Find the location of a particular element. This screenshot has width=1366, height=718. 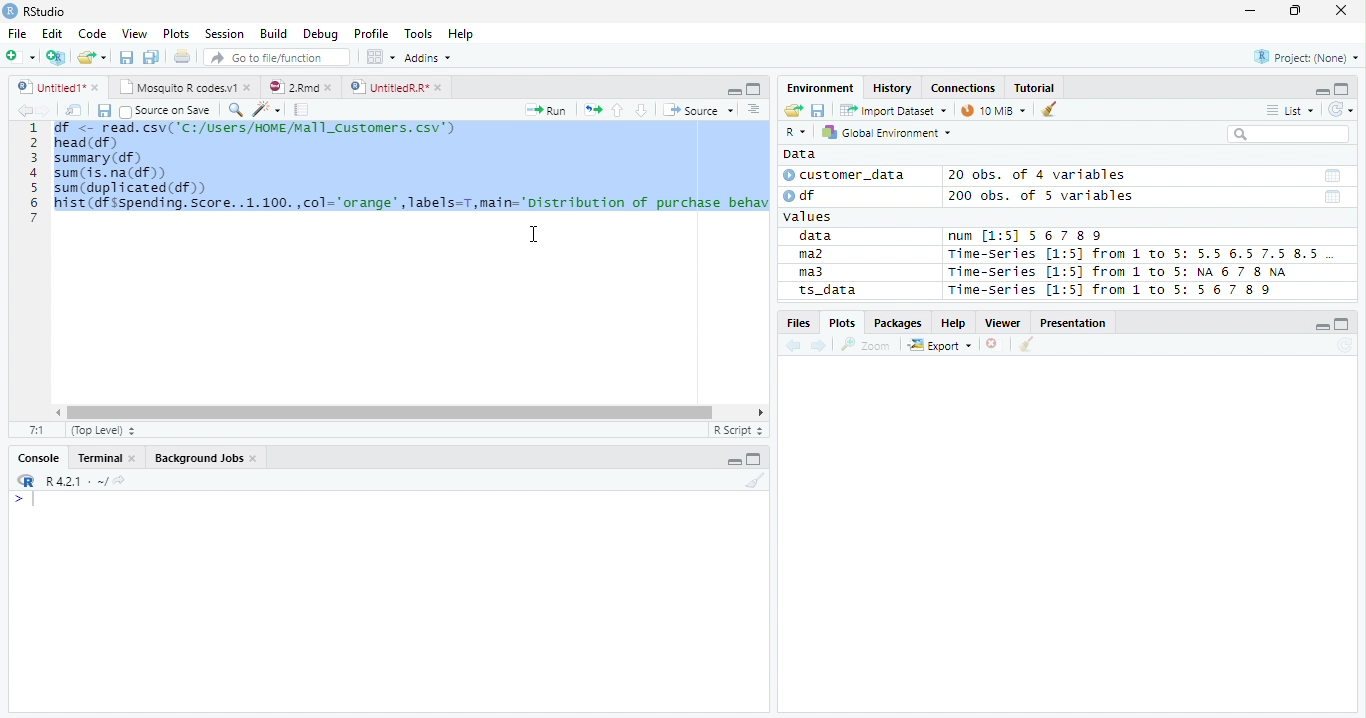

Clean is located at coordinates (1027, 344).